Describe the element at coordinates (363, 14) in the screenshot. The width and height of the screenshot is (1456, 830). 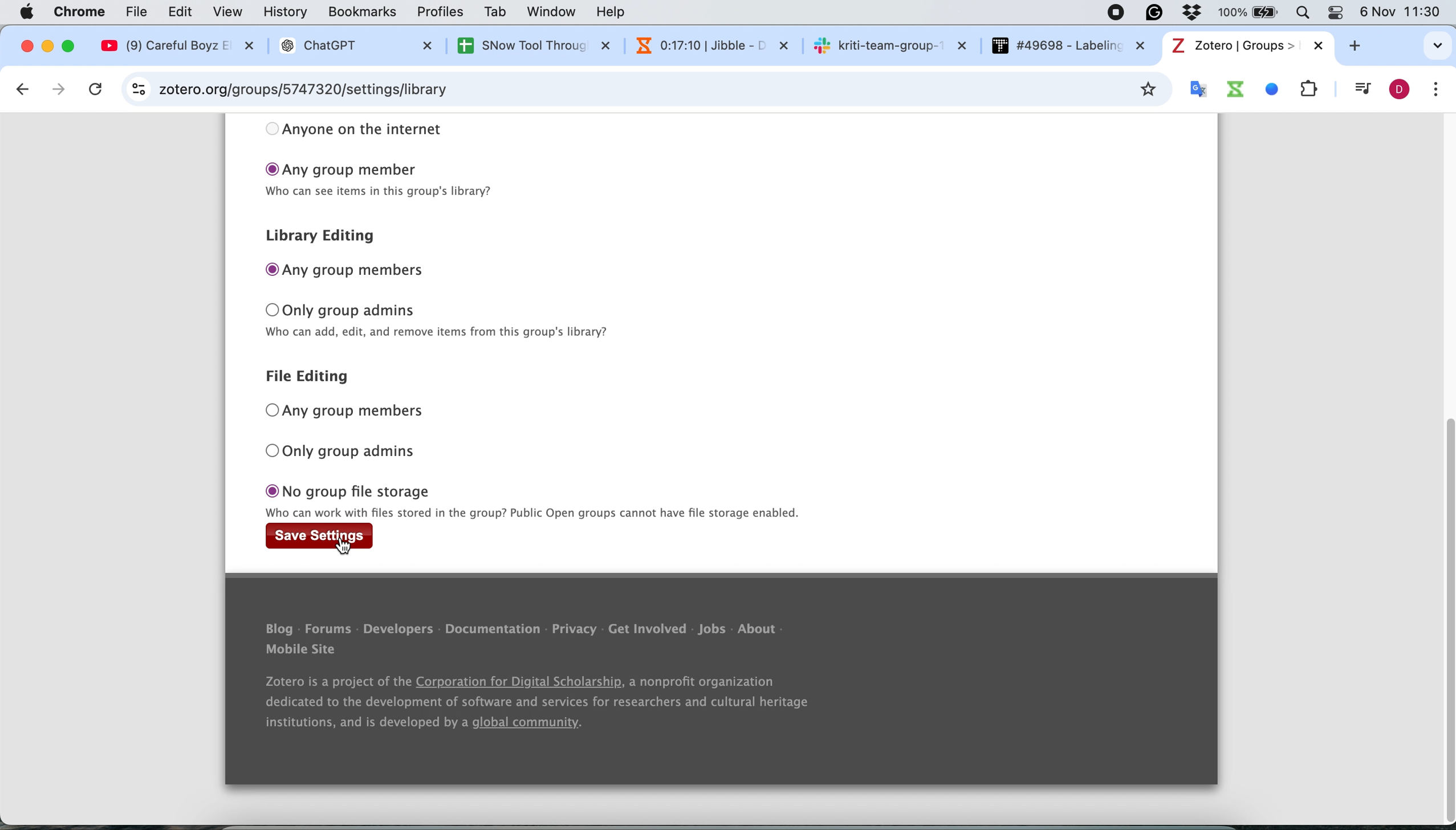
I see `bookmarks` at that location.